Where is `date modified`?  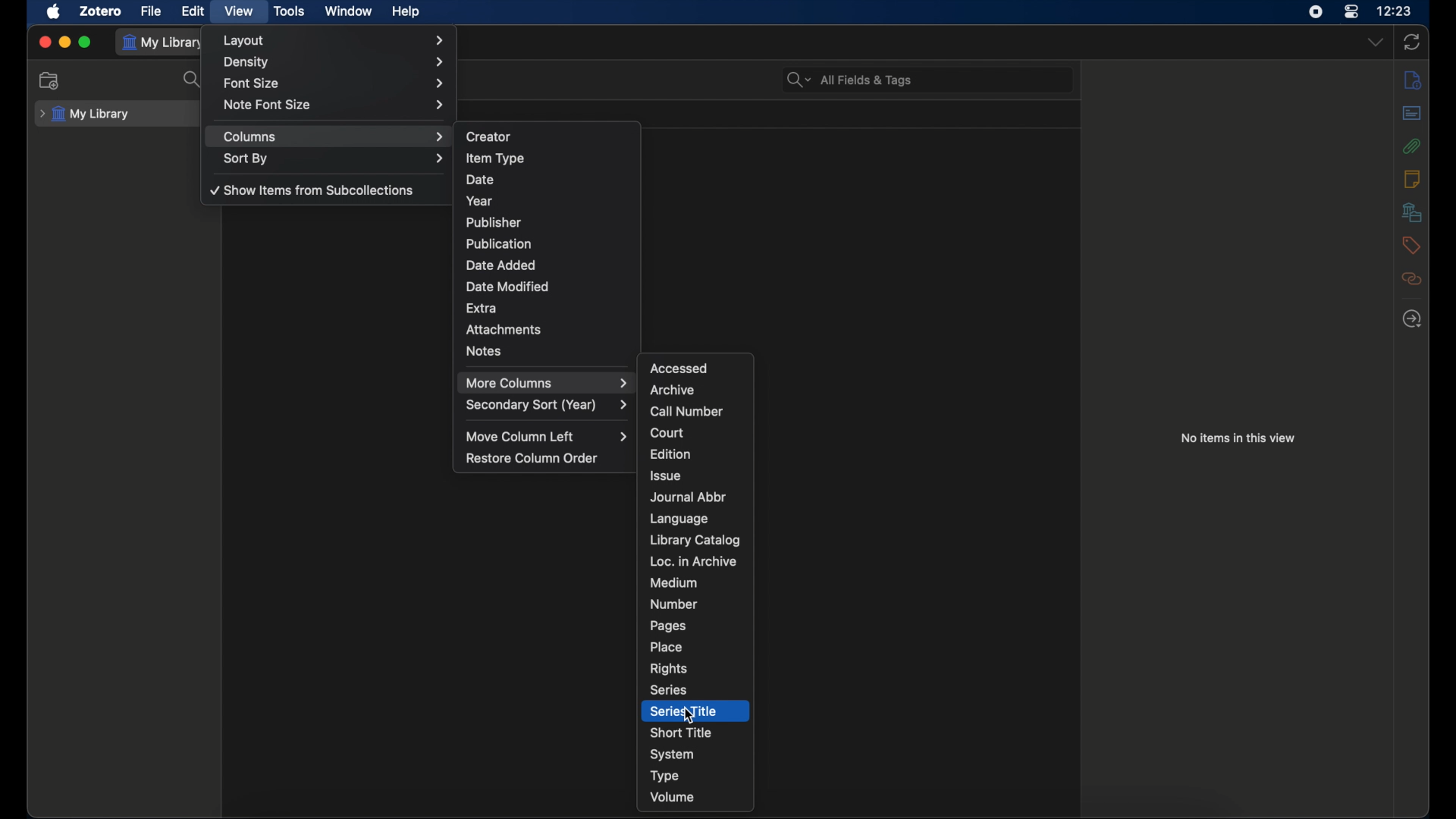 date modified is located at coordinates (506, 287).